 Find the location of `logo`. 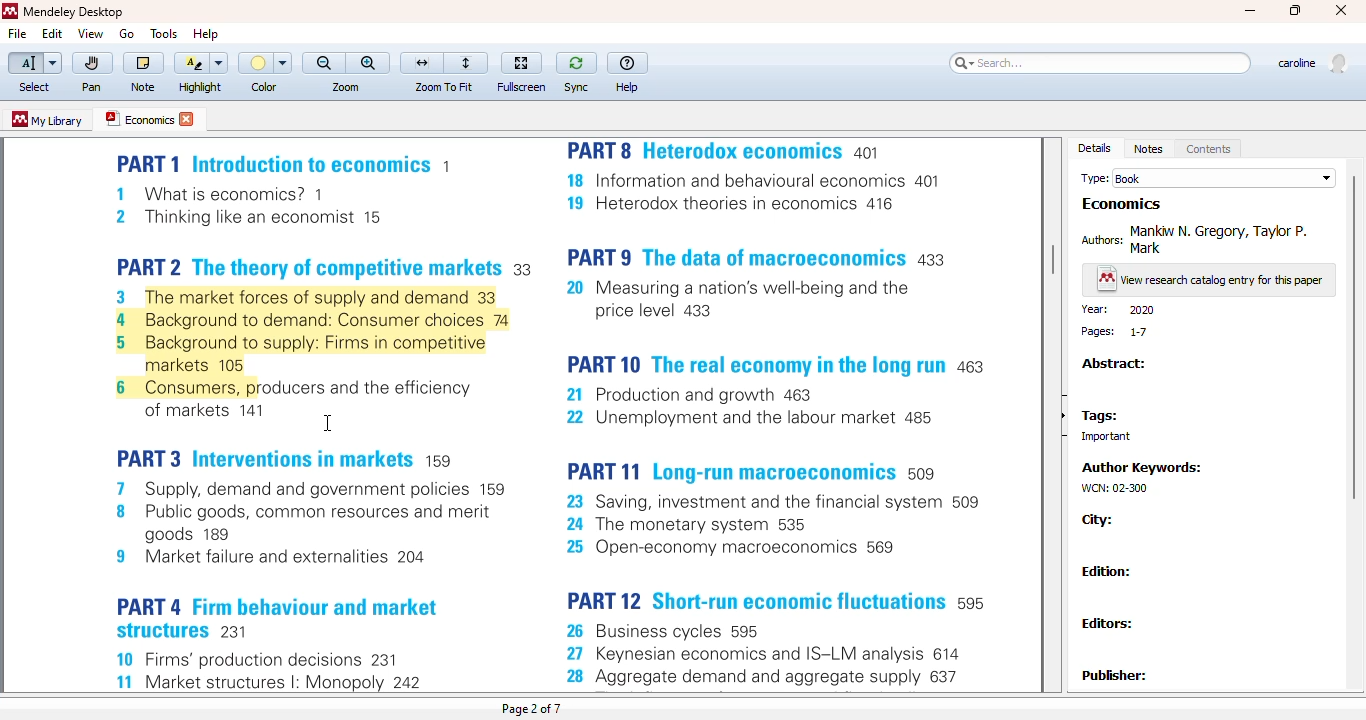

logo is located at coordinates (9, 11).